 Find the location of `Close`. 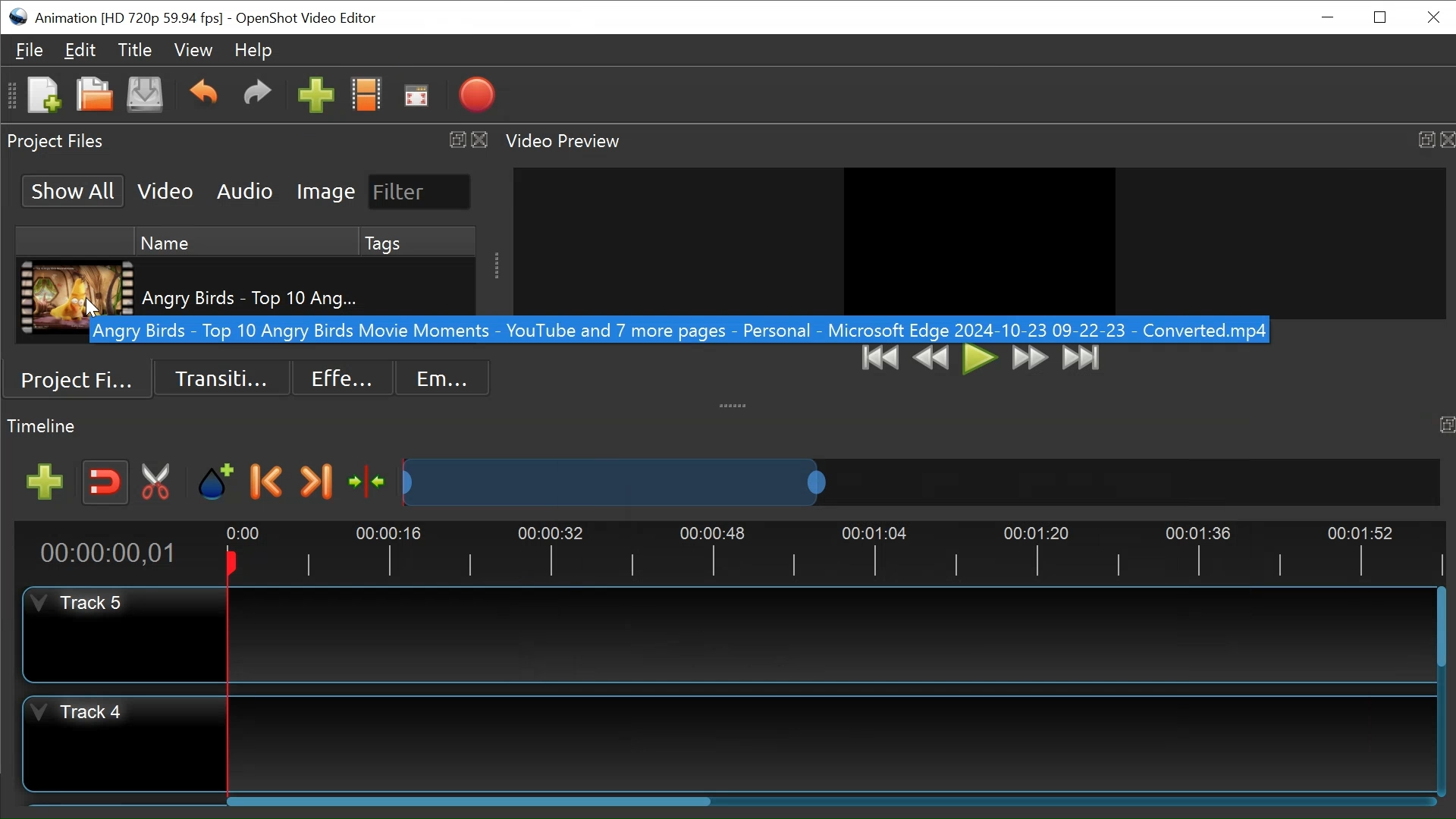

Close is located at coordinates (1434, 17).